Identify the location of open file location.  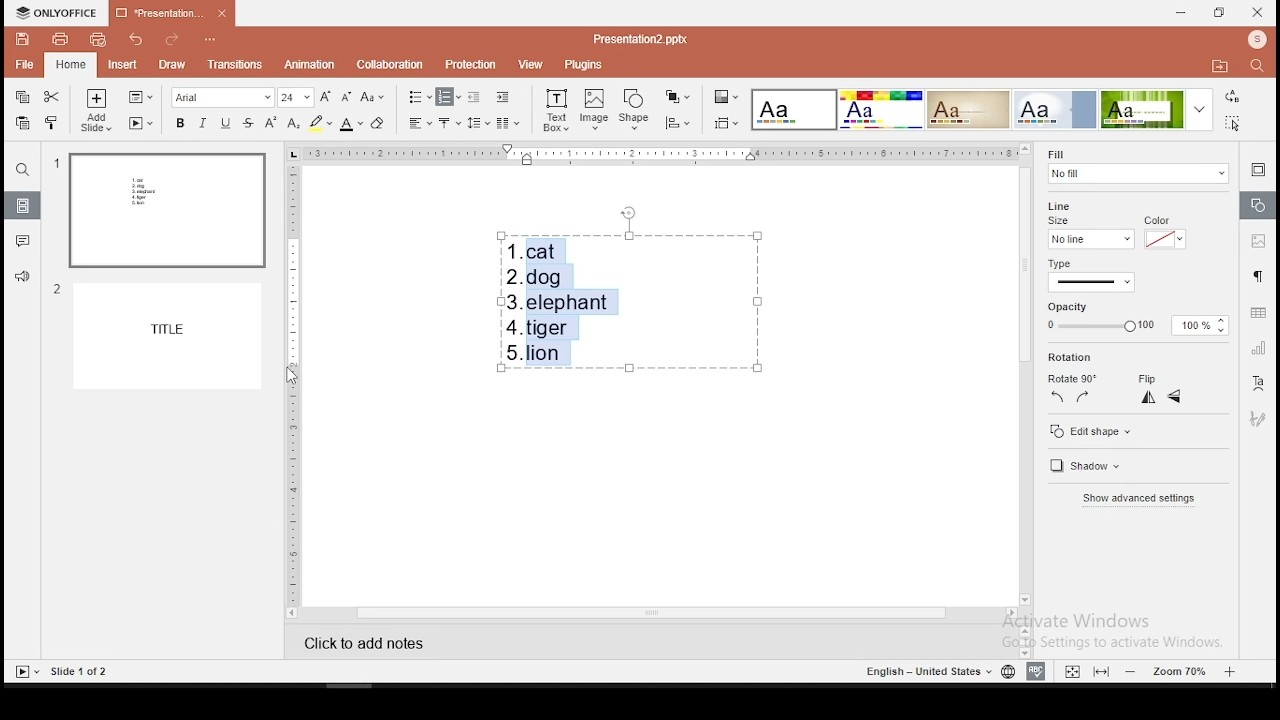
(1217, 66).